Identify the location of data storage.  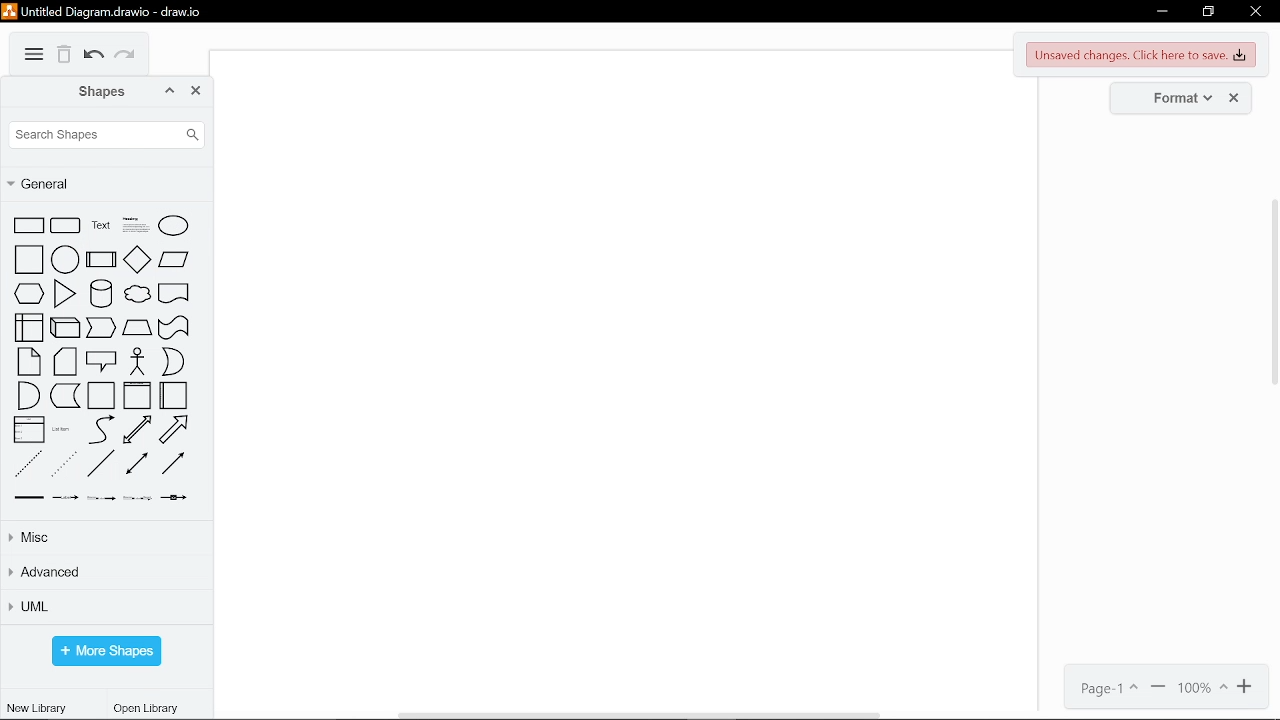
(66, 397).